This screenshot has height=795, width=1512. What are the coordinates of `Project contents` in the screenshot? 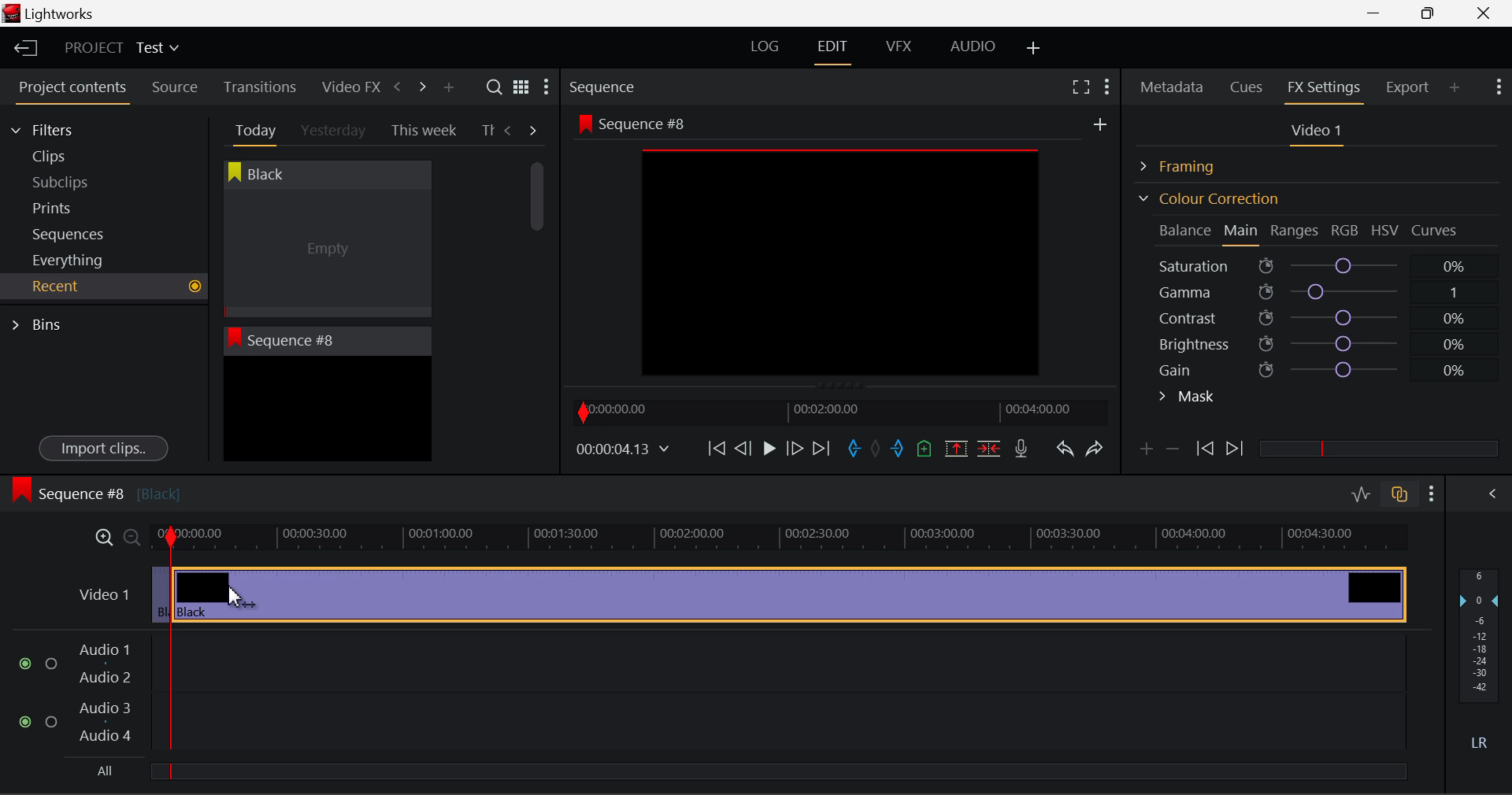 It's located at (72, 91).